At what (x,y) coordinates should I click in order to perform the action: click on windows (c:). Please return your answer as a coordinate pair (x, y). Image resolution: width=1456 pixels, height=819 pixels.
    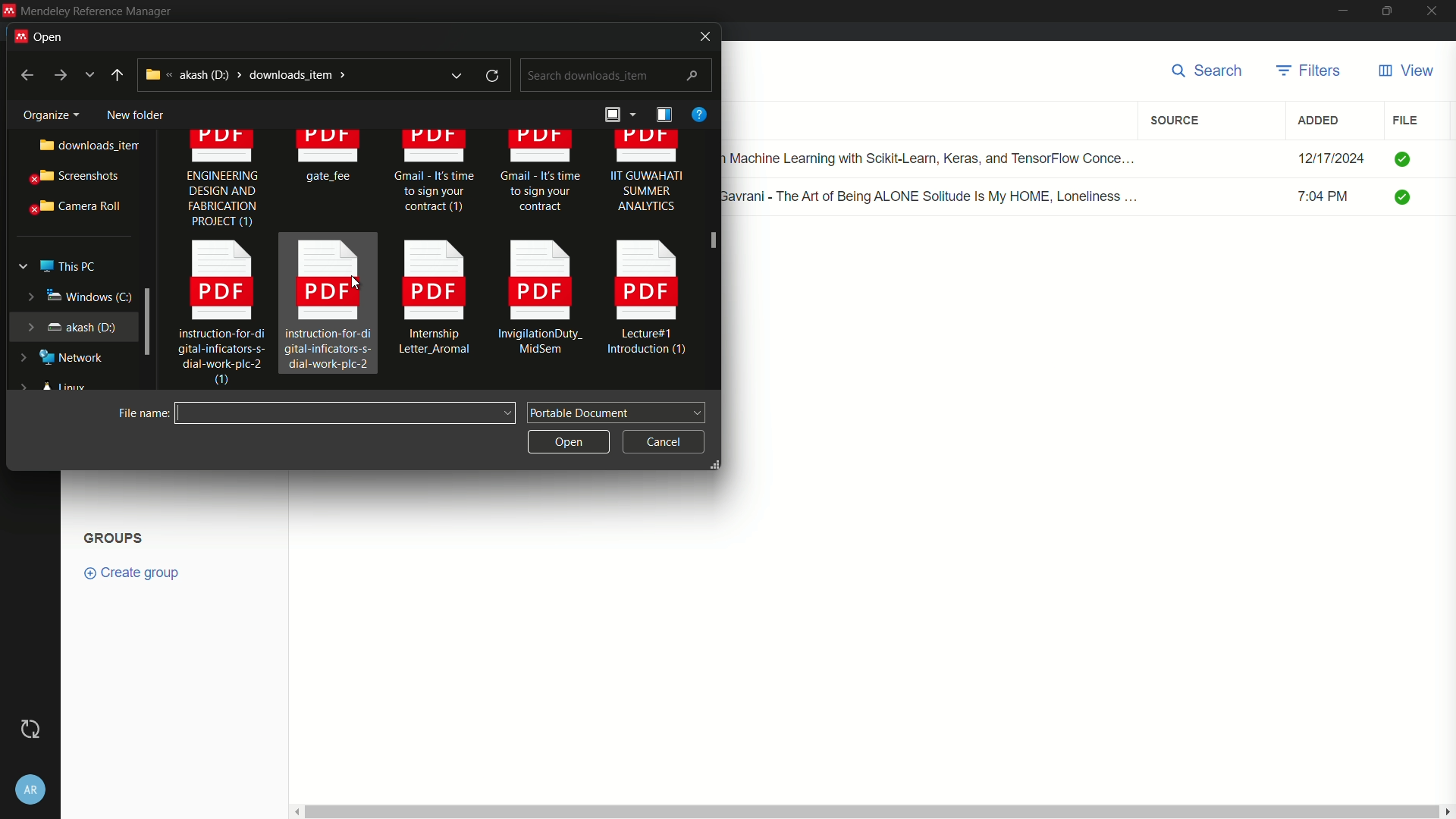
    Looking at the image, I should click on (68, 296).